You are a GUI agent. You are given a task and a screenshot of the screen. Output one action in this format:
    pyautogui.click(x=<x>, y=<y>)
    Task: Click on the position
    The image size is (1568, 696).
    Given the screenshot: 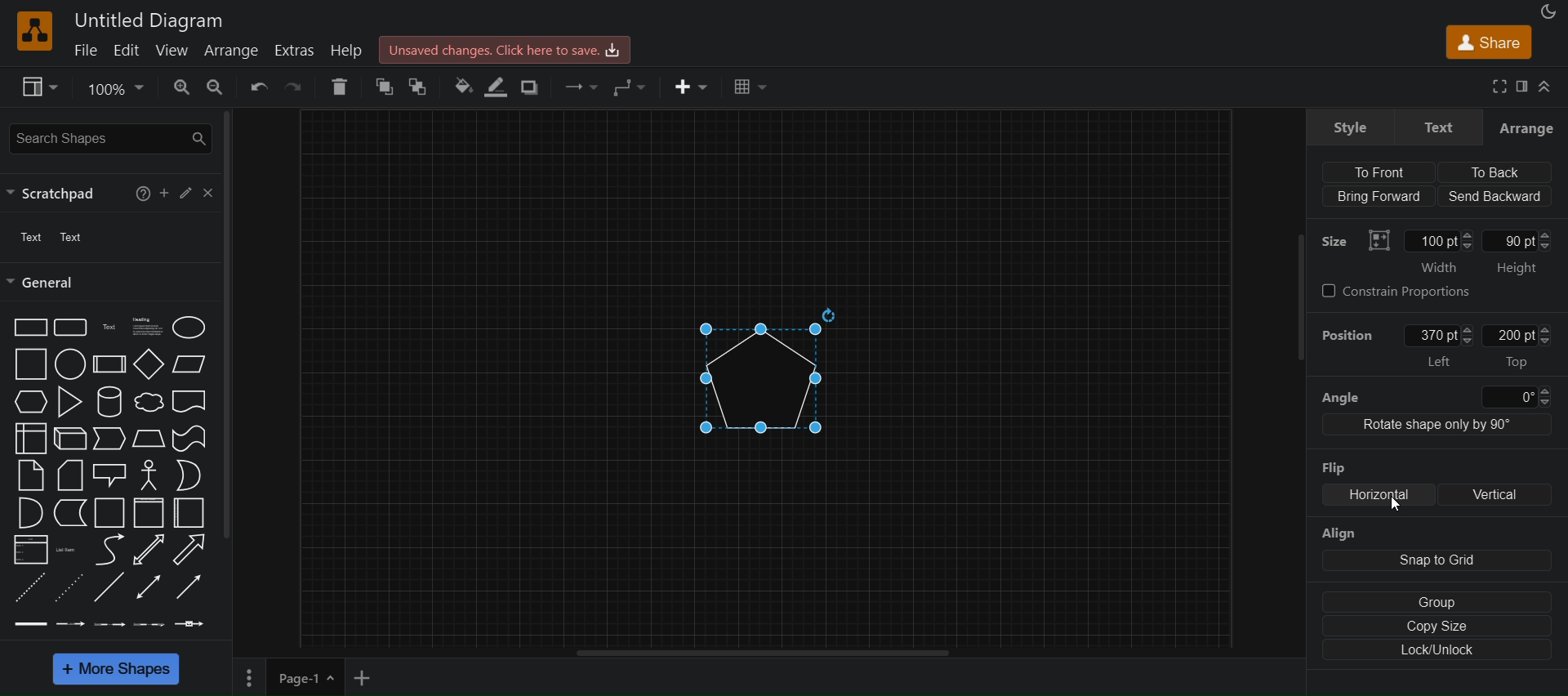 What is the action you would take?
    pyautogui.click(x=1347, y=335)
    